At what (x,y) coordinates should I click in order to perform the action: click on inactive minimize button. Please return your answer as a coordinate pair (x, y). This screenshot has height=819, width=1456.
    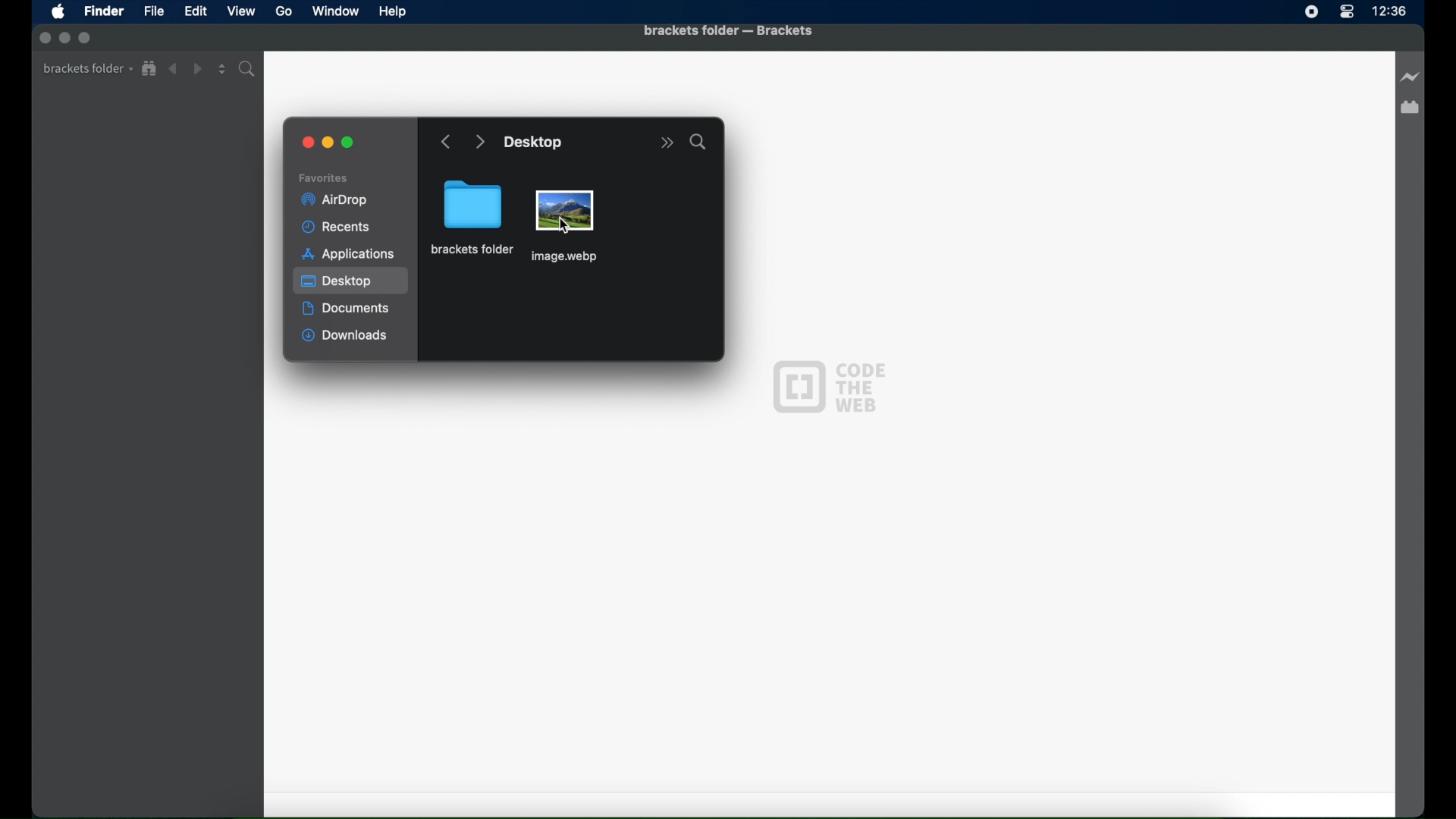
    Looking at the image, I should click on (64, 39).